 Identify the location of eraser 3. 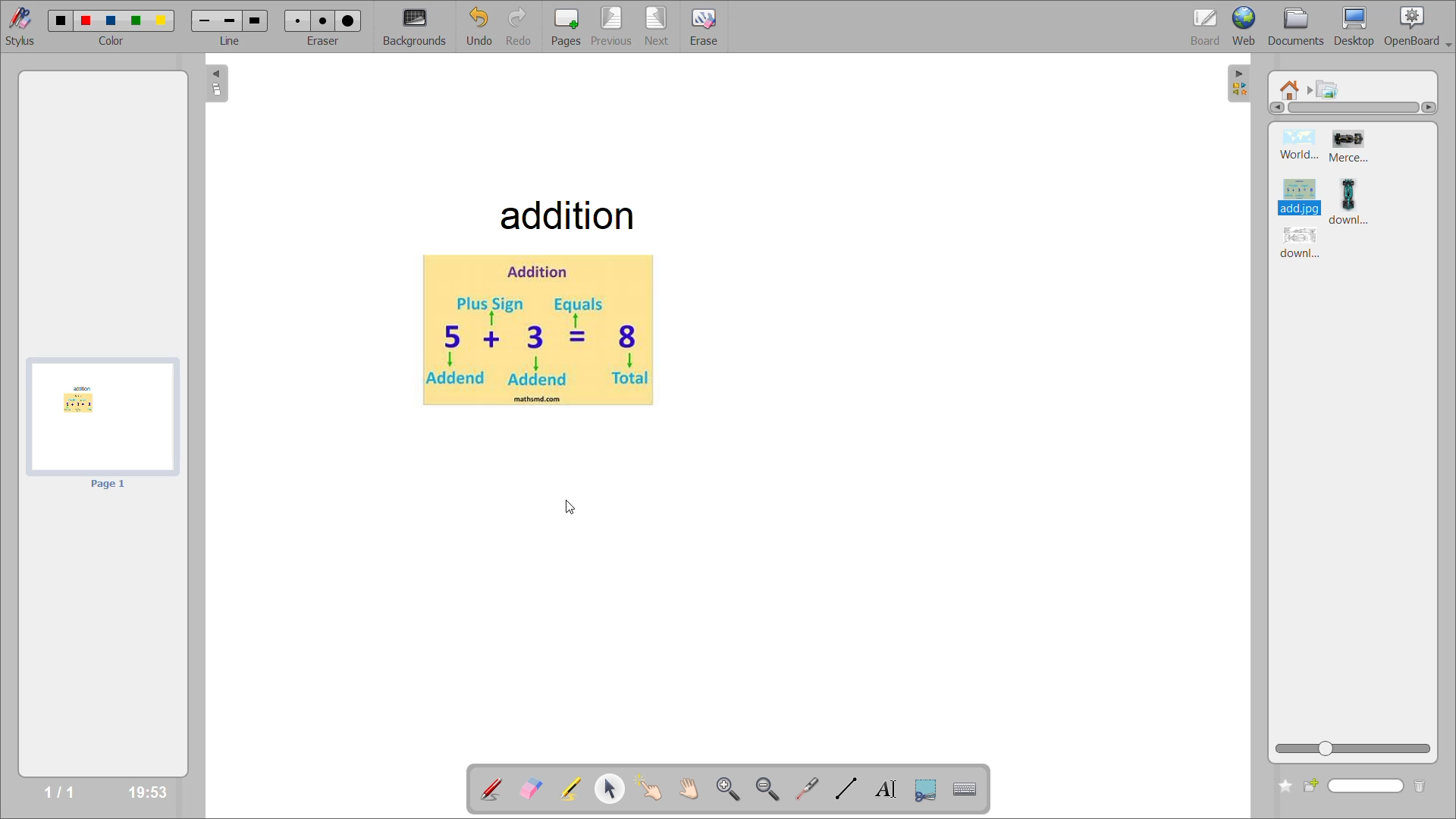
(349, 20).